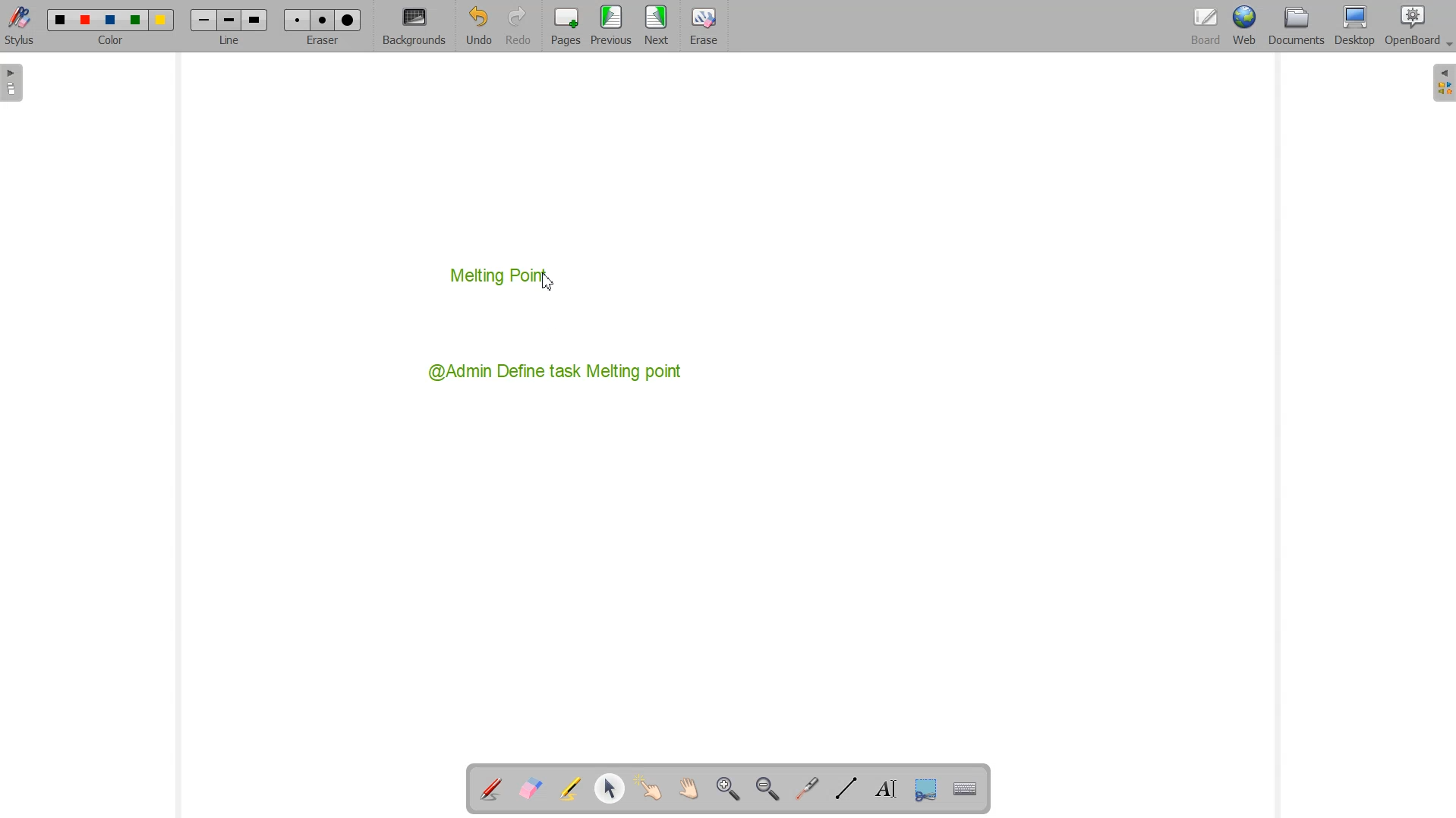  Describe the element at coordinates (557, 371) in the screenshot. I see `@Admin Define task Melting point` at that location.